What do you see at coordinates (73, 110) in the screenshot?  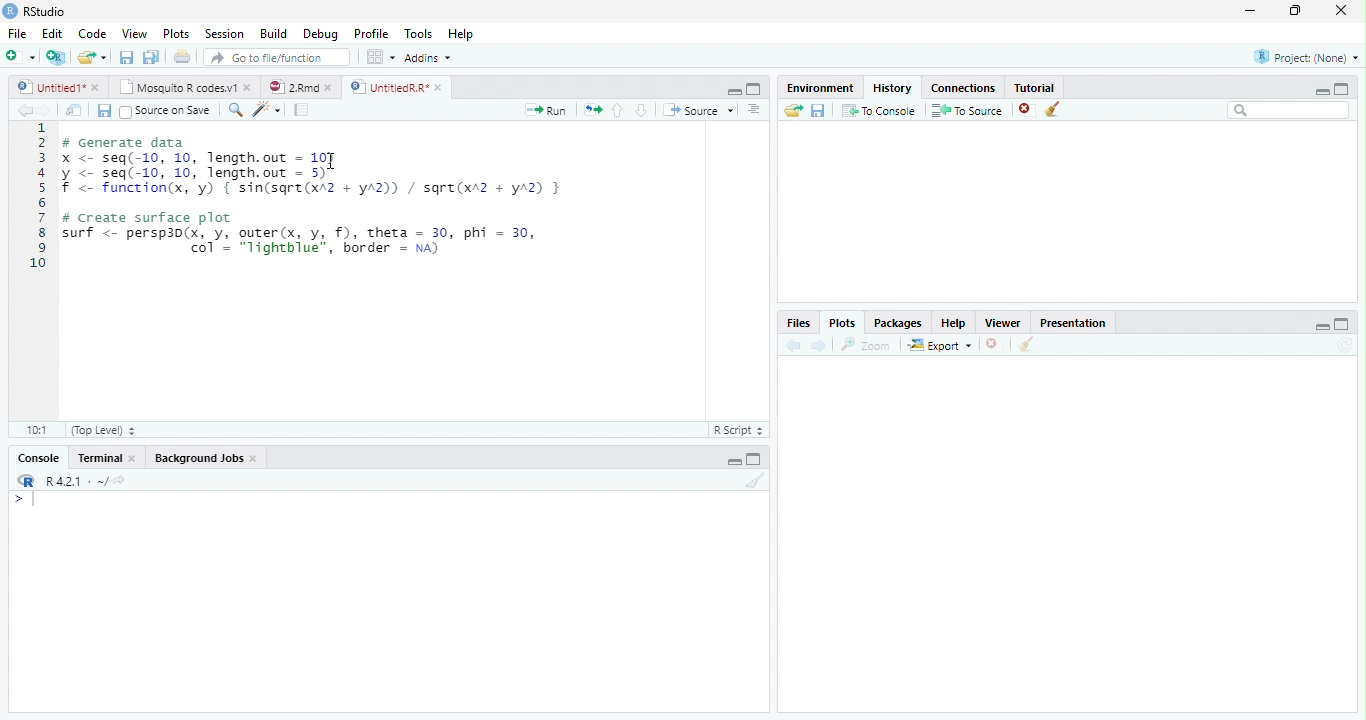 I see `Show in new window` at bounding box center [73, 110].